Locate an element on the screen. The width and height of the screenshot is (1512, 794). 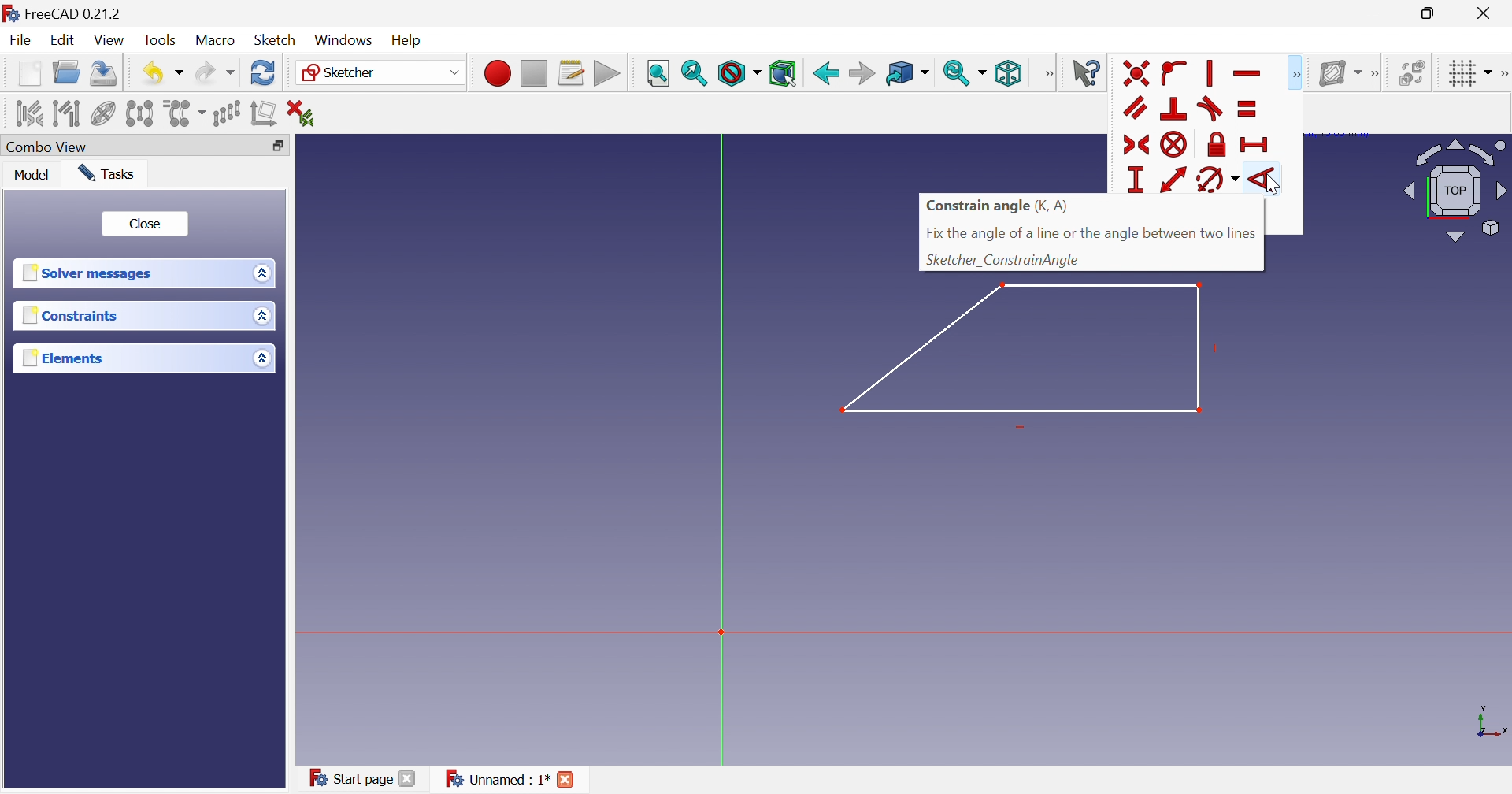
Start page is located at coordinates (354, 779).